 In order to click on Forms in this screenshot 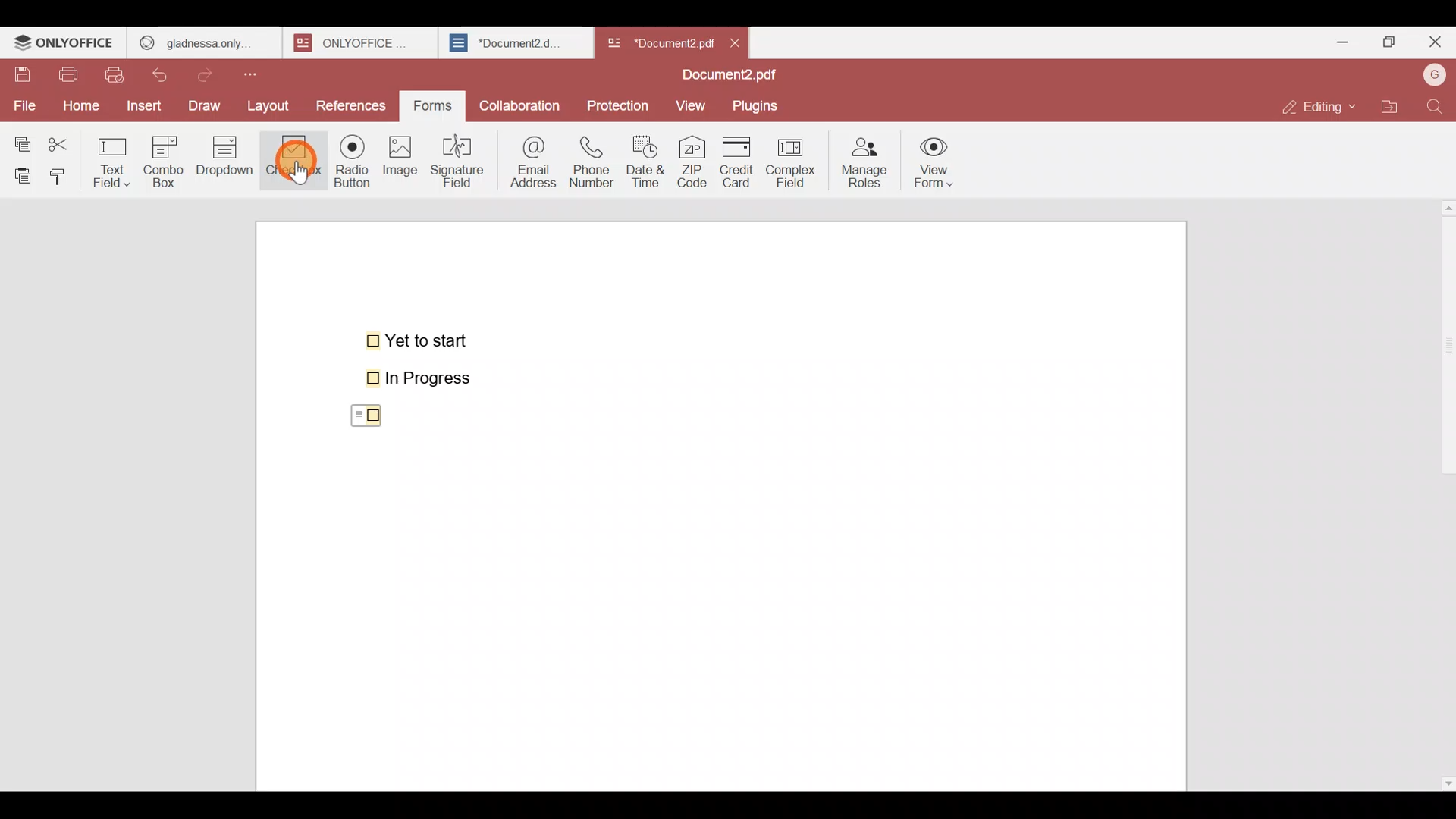, I will do `click(434, 104)`.